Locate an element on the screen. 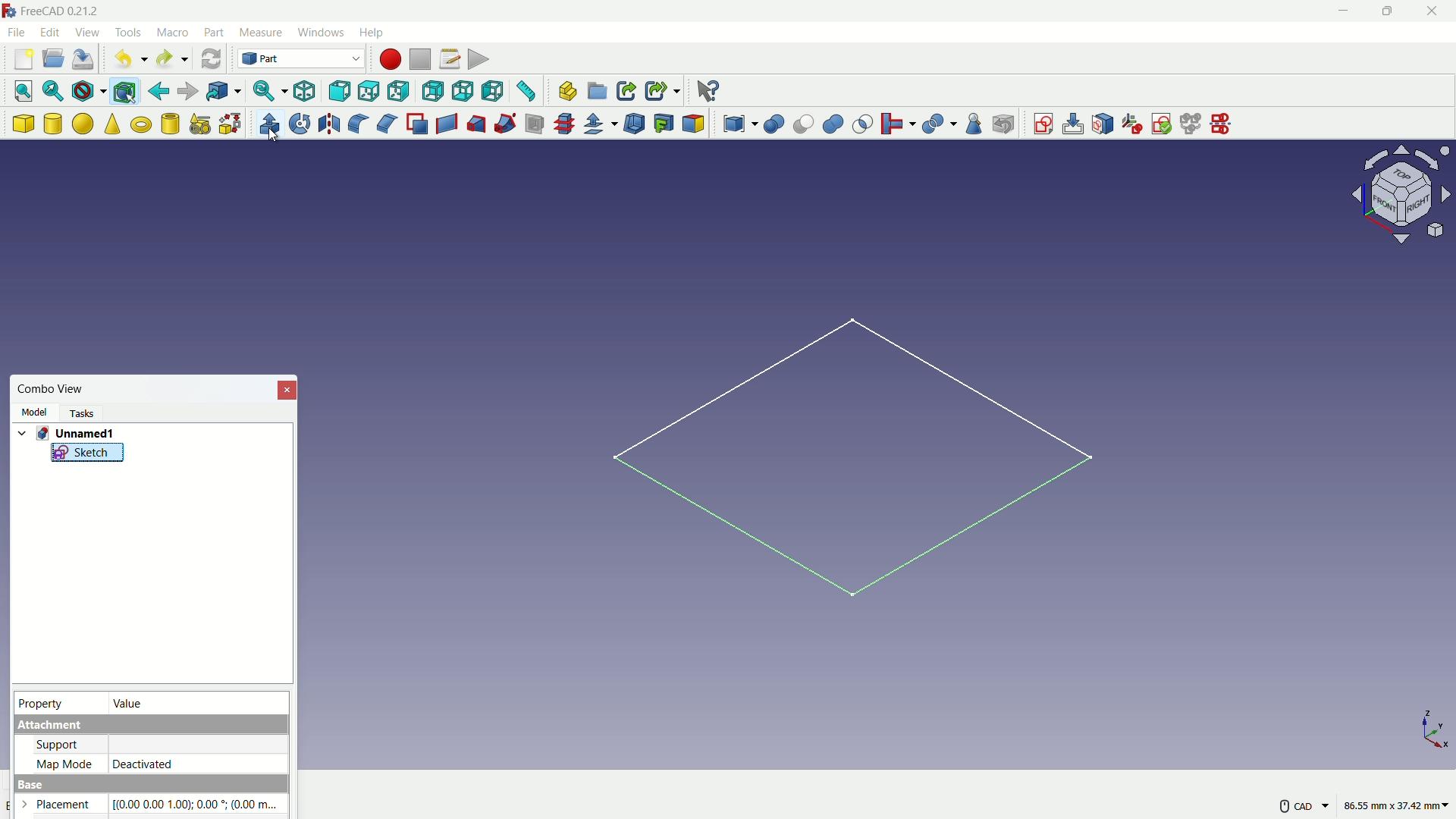 Image resolution: width=1456 pixels, height=819 pixels. loft is located at coordinates (477, 124).